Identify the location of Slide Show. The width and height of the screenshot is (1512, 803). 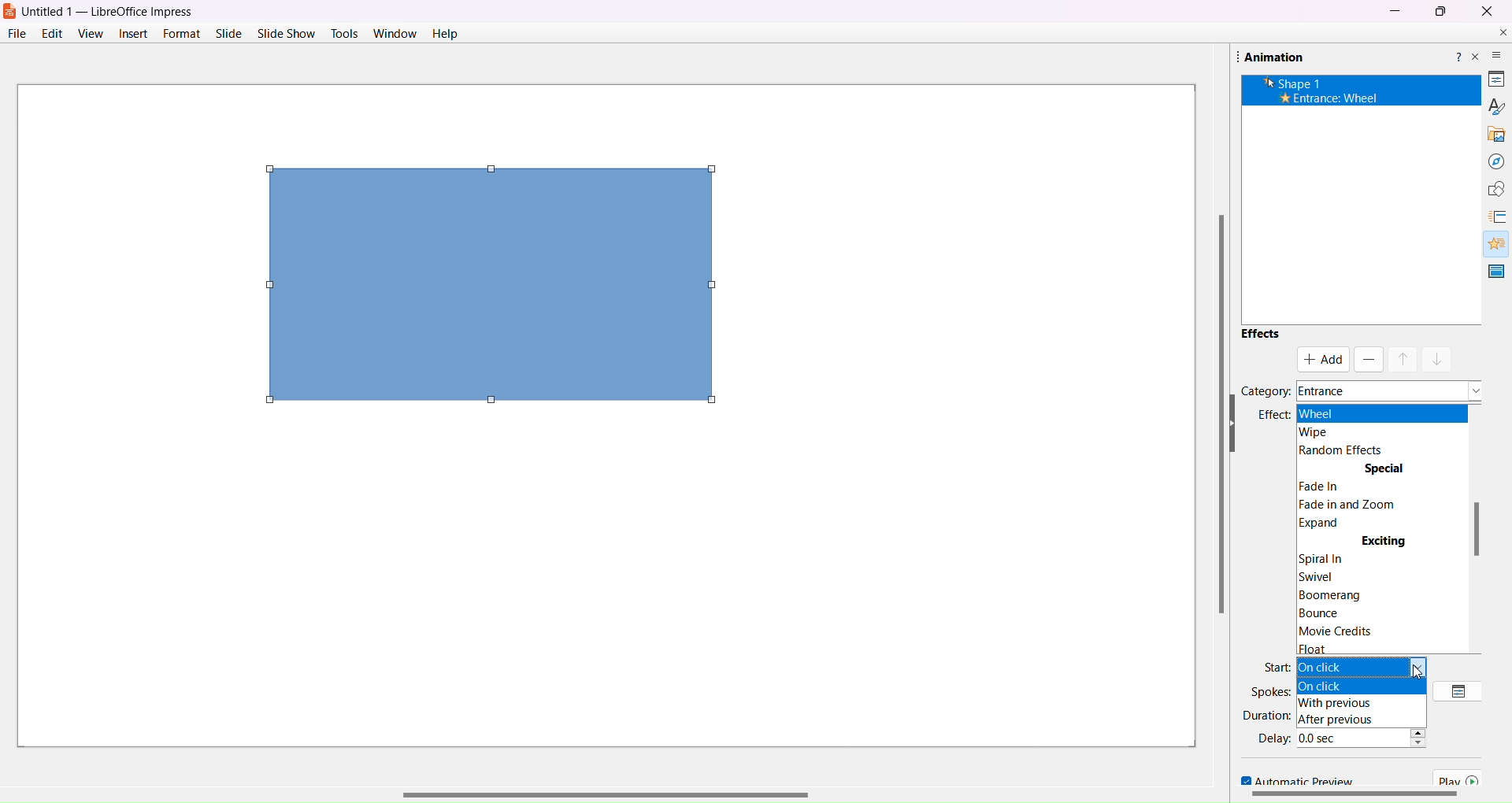
(287, 31).